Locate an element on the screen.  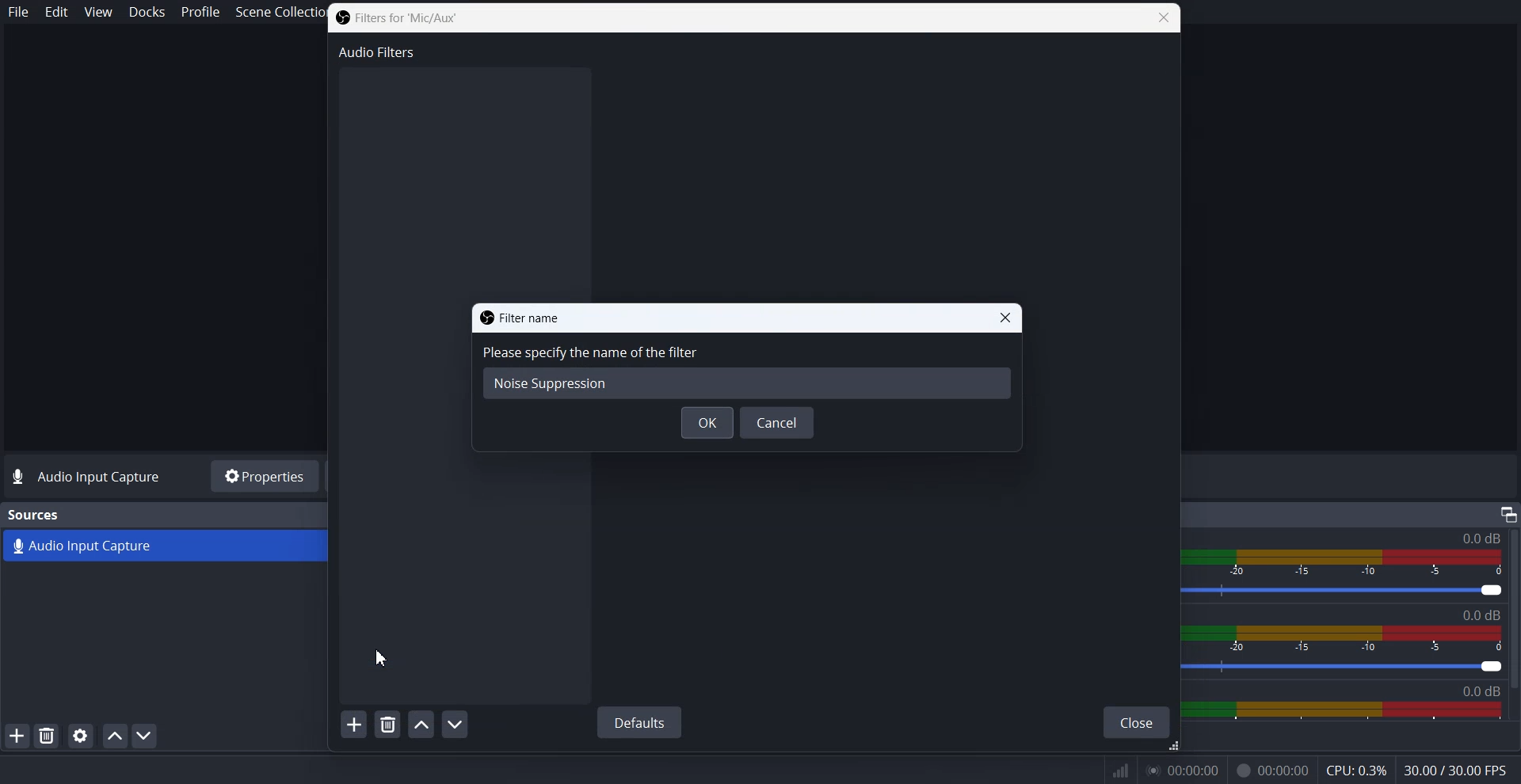
Remove selected filters is located at coordinates (388, 724).